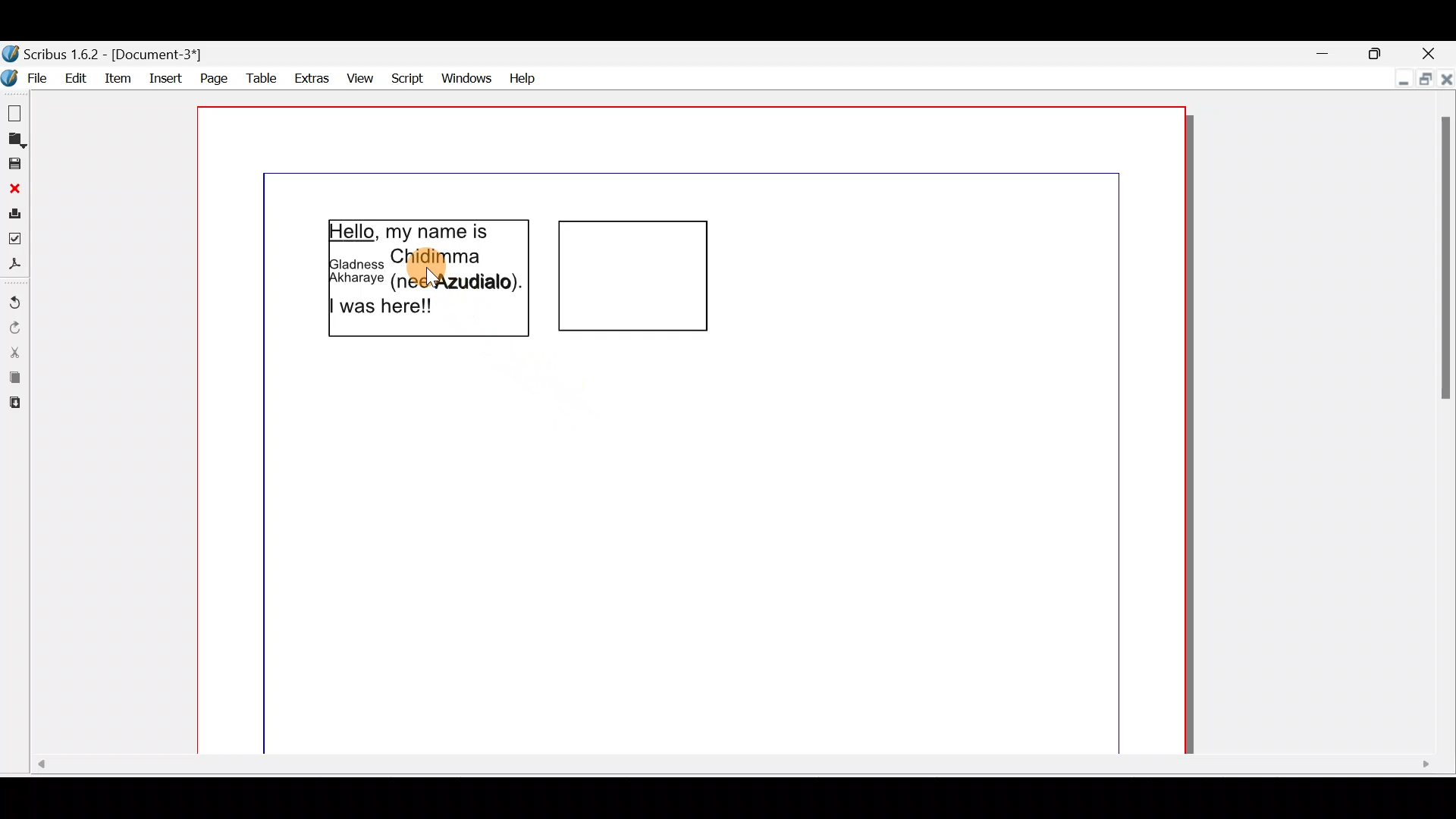 The image size is (1456, 819). Describe the element at coordinates (1400, 76) in the screenshot. I see `Minimise` at that location.